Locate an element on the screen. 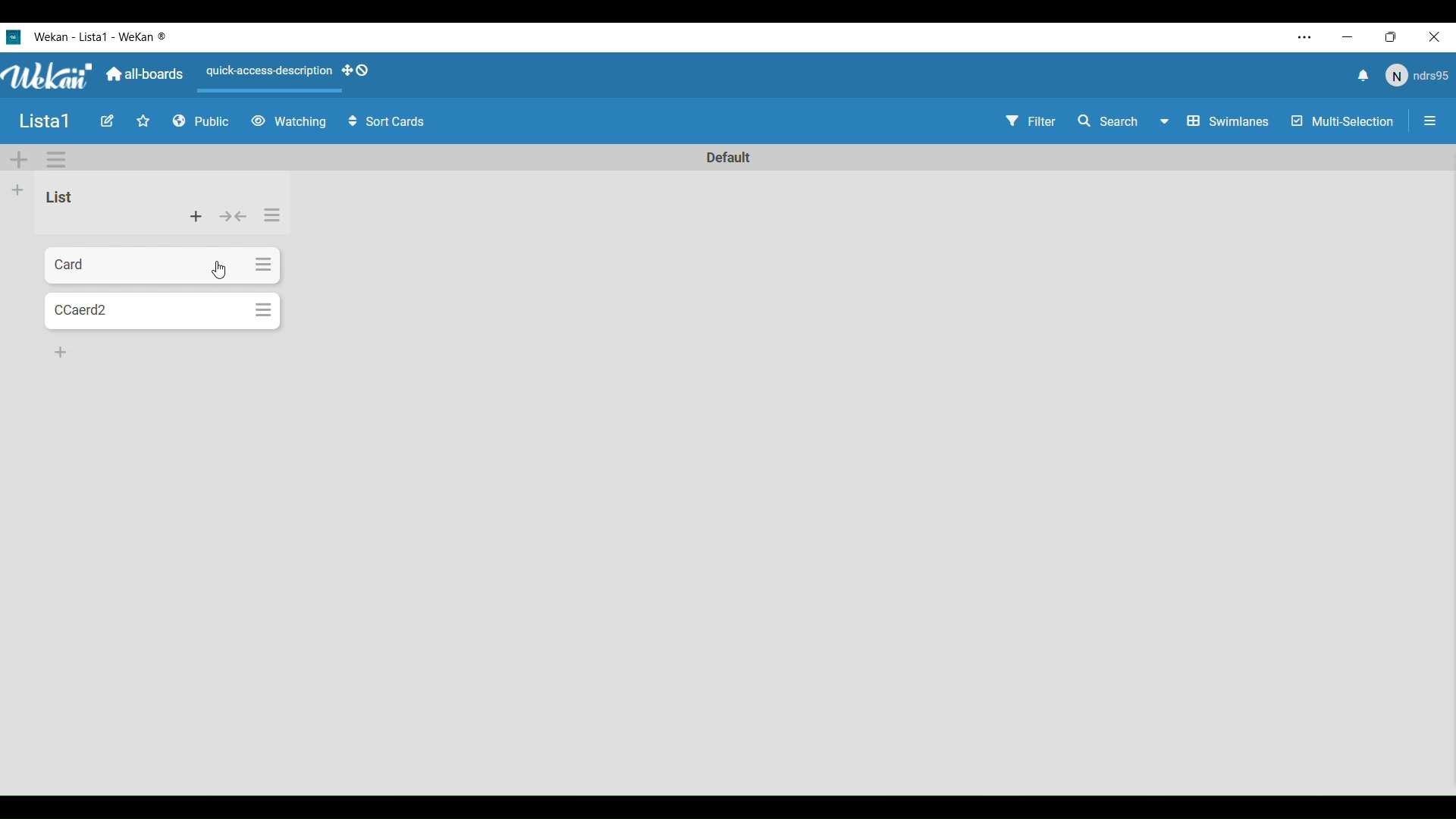  Add is located at coordinates (19, 160).